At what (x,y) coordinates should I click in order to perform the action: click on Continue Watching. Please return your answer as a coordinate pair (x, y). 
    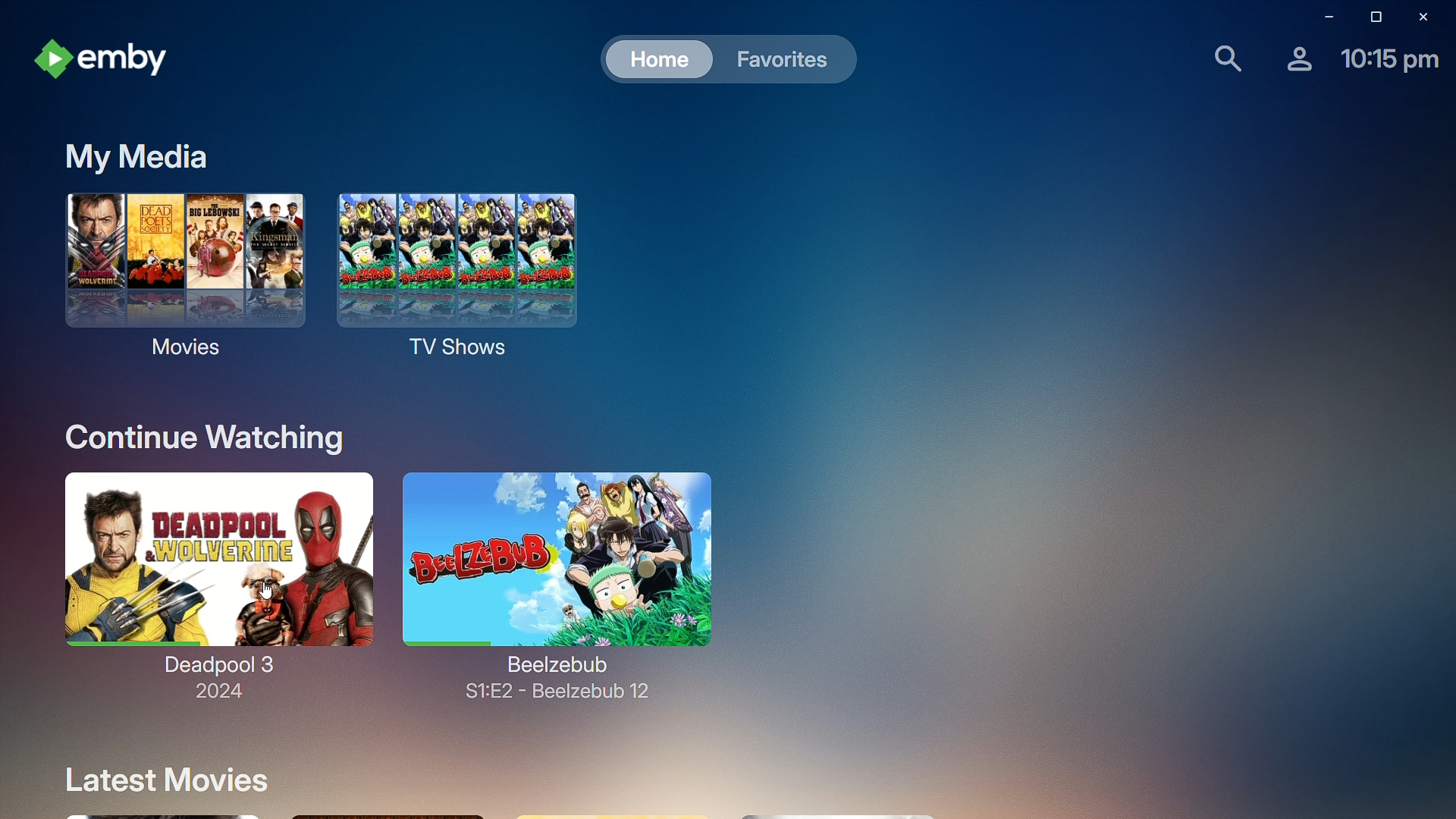
    Looking at the image, I should click on (201, 438).